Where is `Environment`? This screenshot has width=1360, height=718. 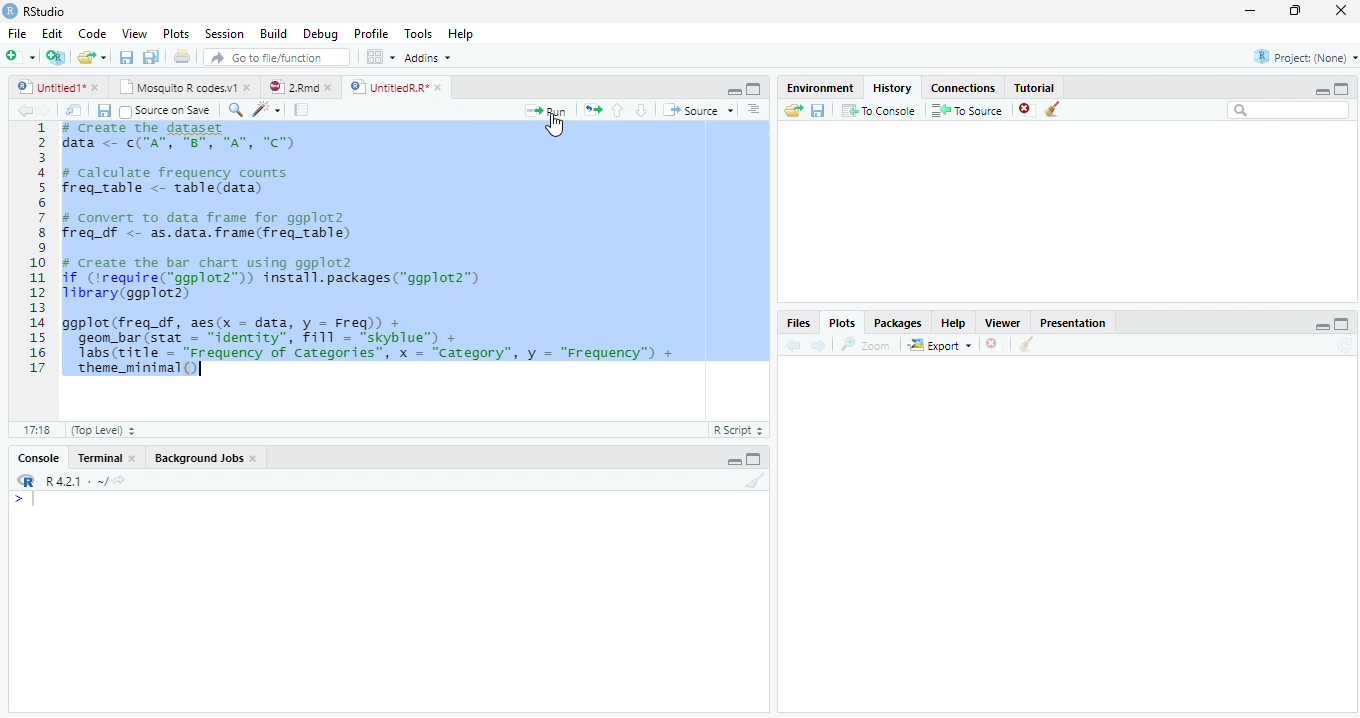 Environment is located at coordinates (818, 88).